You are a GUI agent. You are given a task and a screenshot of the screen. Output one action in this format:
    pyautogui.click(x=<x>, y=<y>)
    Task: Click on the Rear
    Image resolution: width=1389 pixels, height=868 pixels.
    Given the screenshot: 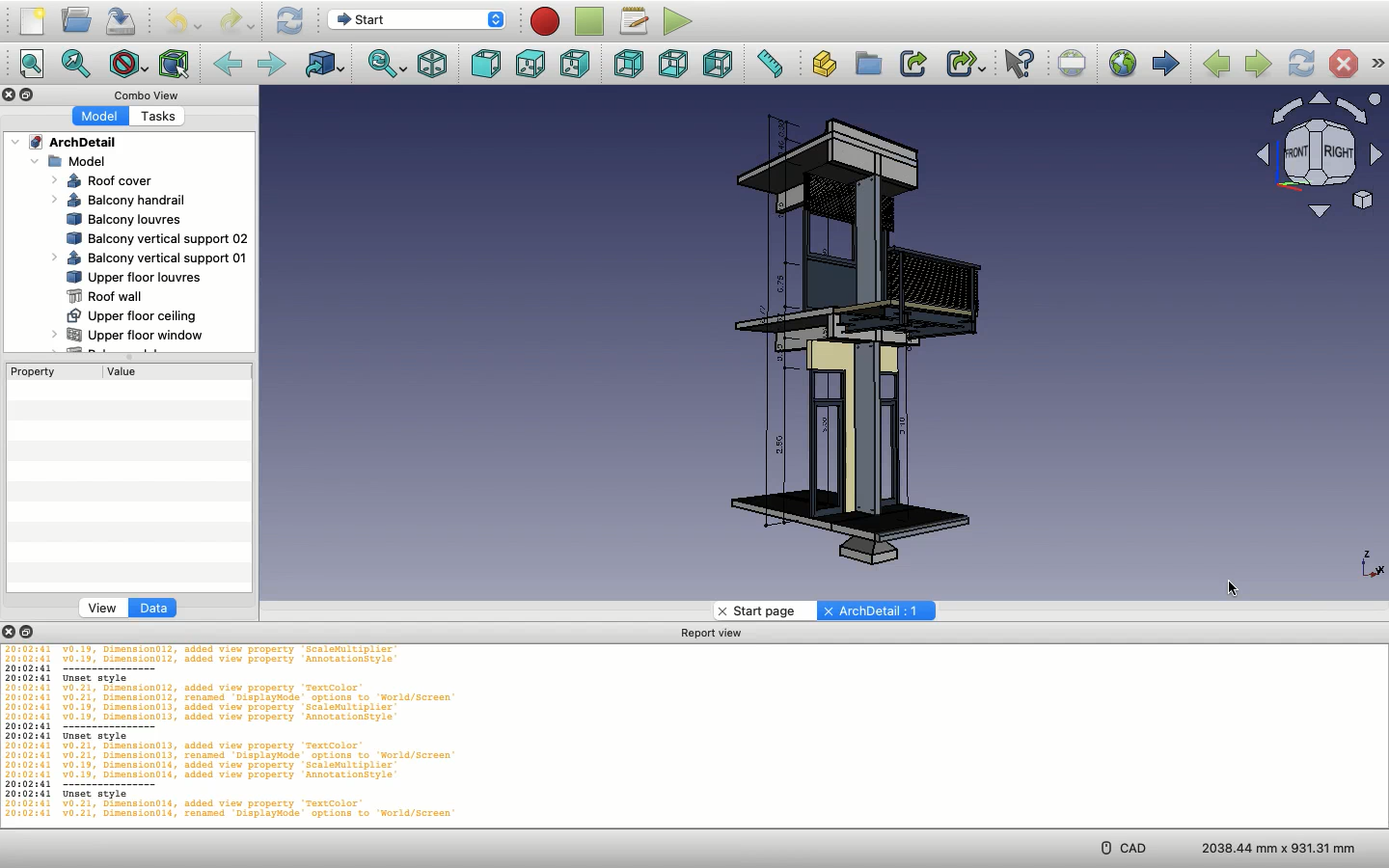 What is the action you would take?
    pyautogui.click(x=630, y=64)
    